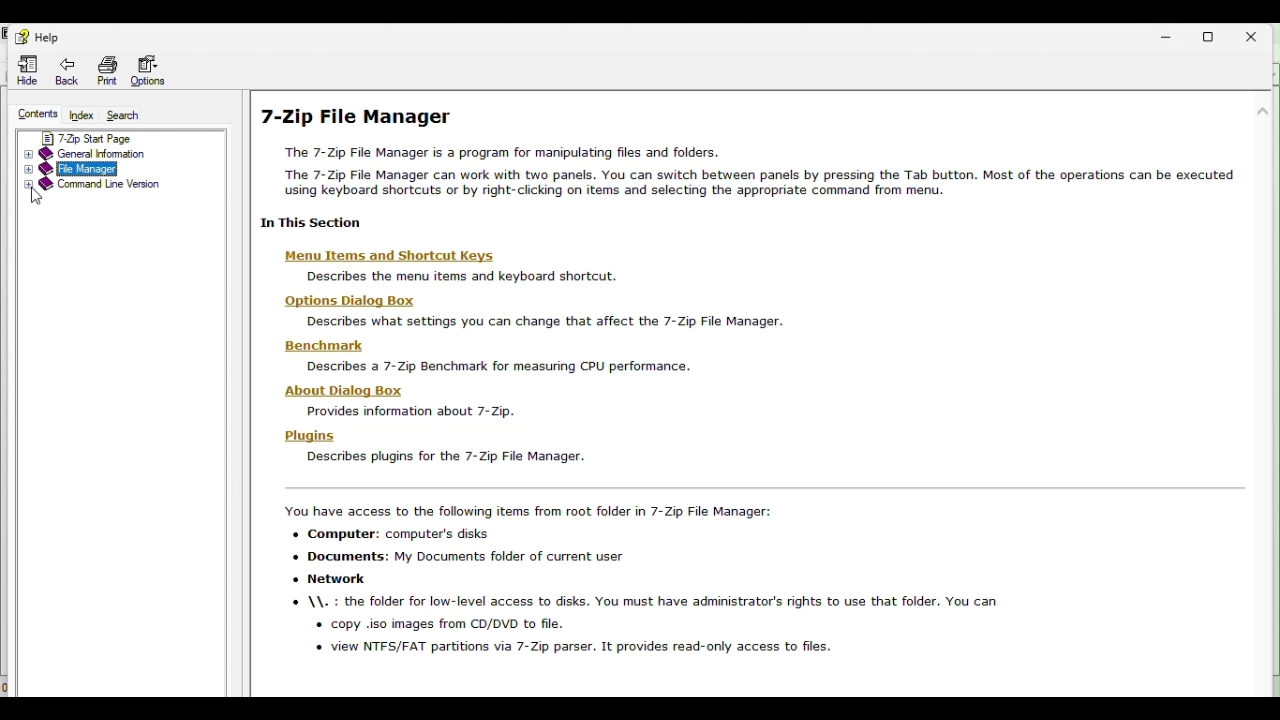  Describe the element at coordinates (637, 580) in the screenshot. I see `You have access to the following items from root folder in 7-Zip File Manager:
+ Computer: computer's disks
«+ Documents: My Documents folder of current user
+ Network
© \\. : the folder for low-level access to disks. You must have administrator's rights to use that folder. You can
« copy iso images from CD/DVD to file.
o view NTFS/FAT partitions via 7-Zip parser. It provides read-only access to files.` at that location.